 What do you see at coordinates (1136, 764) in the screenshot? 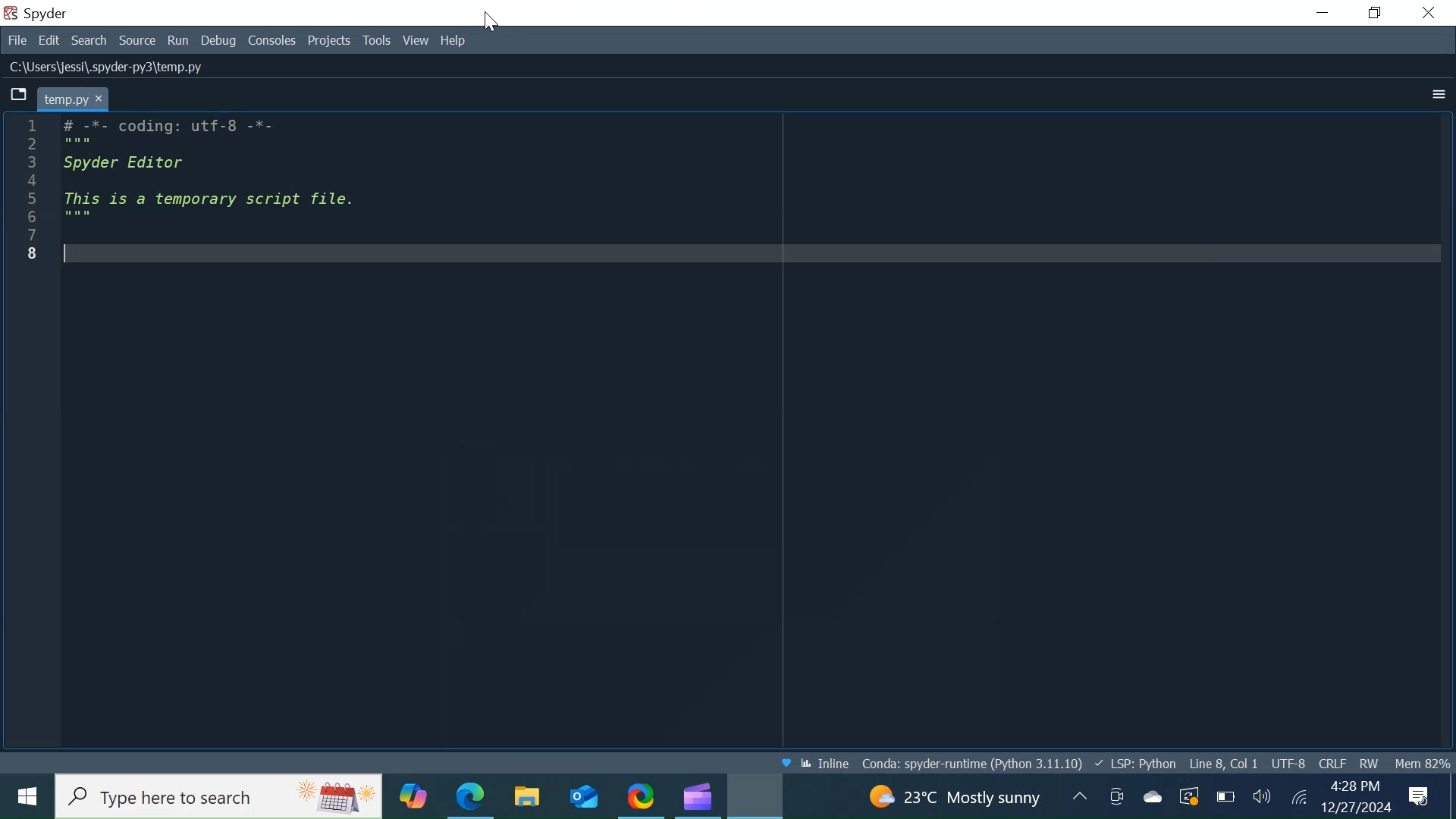
I see `Language` at bounding box center [1136, 764].